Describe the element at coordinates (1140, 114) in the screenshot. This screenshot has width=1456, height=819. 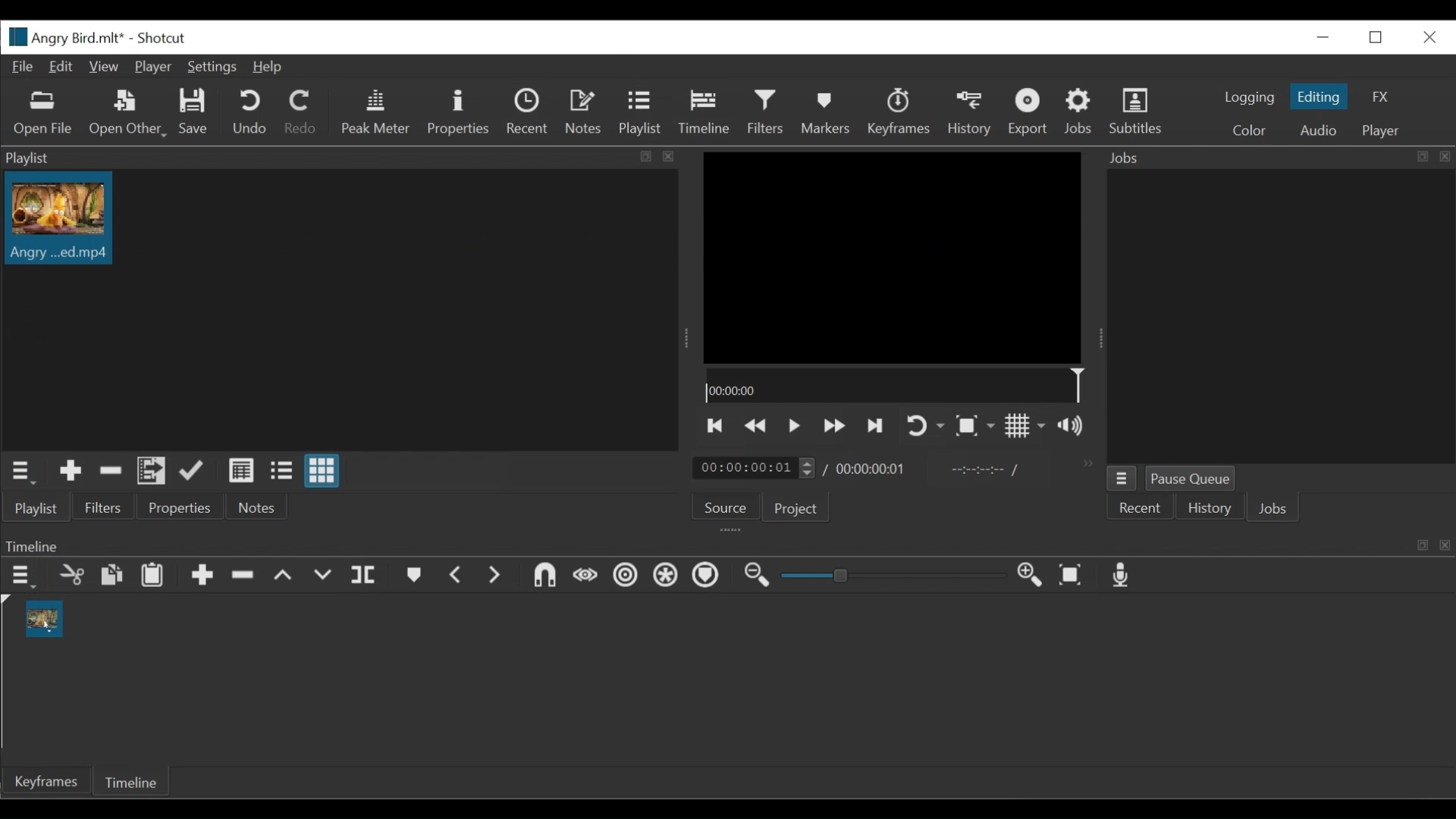
I see `Subtitles` at that location.